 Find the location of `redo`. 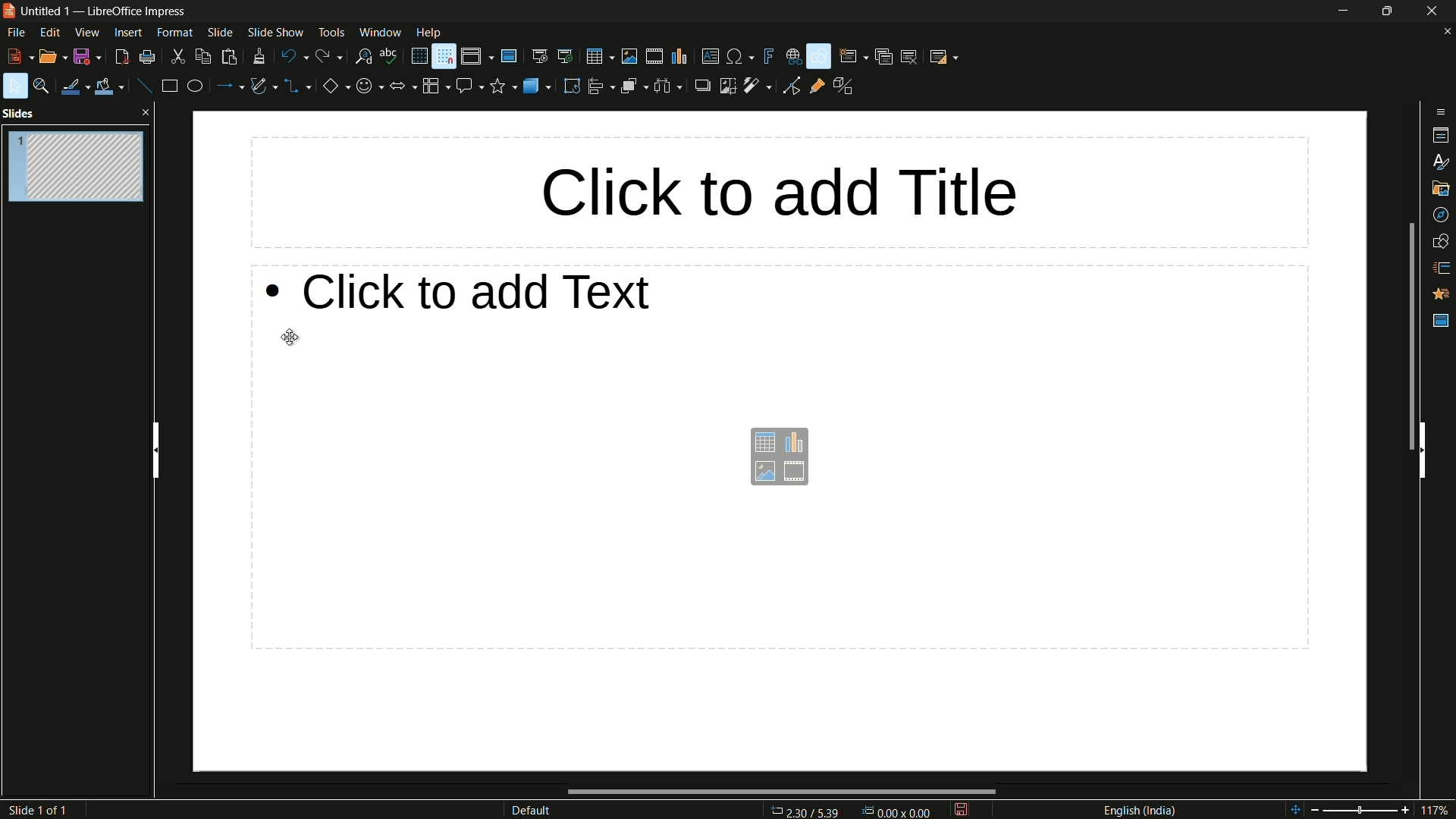

redo is located at coordinates (329, 55).